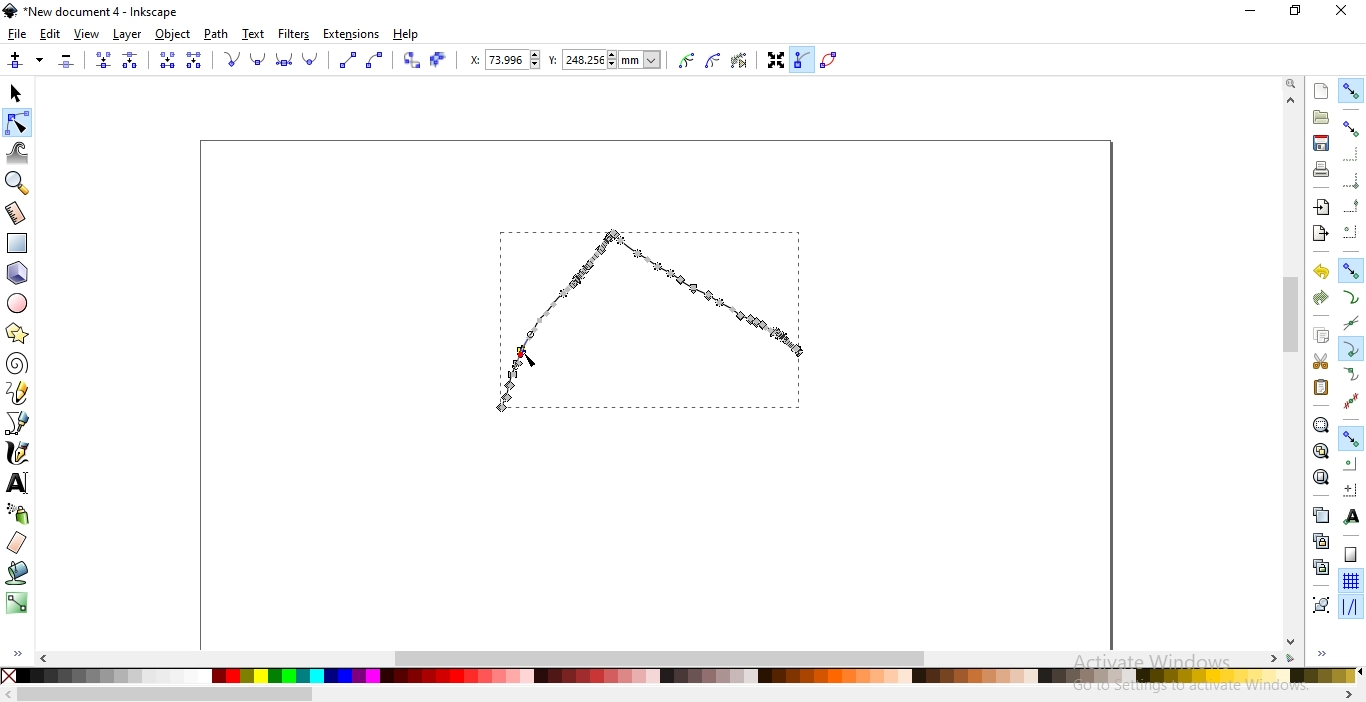  I want to click on snapping centers of bounding boxes, so click(1351, 231).